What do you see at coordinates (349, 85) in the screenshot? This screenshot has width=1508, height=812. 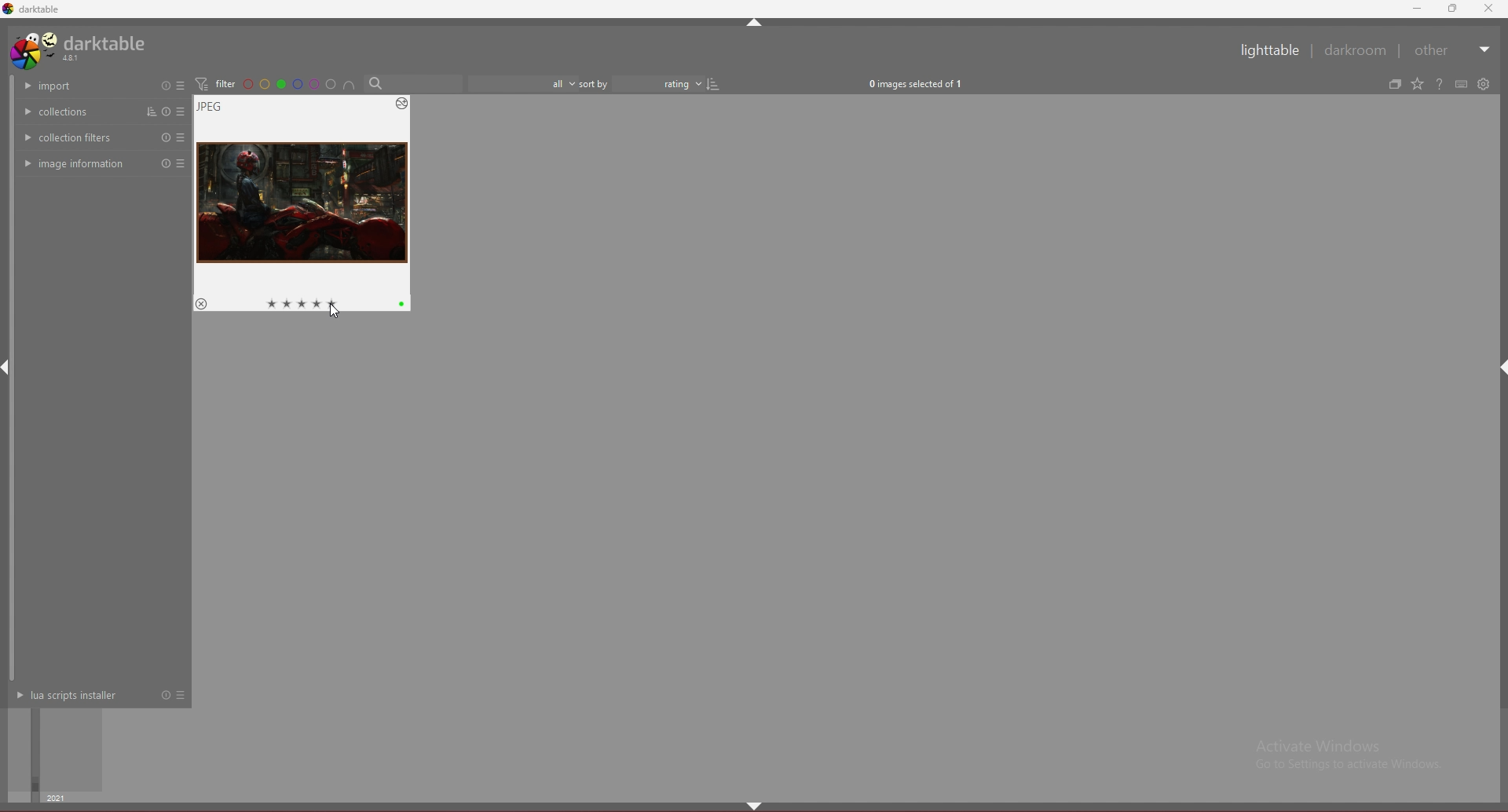 I see `include color` at bounding box center [349, 85].